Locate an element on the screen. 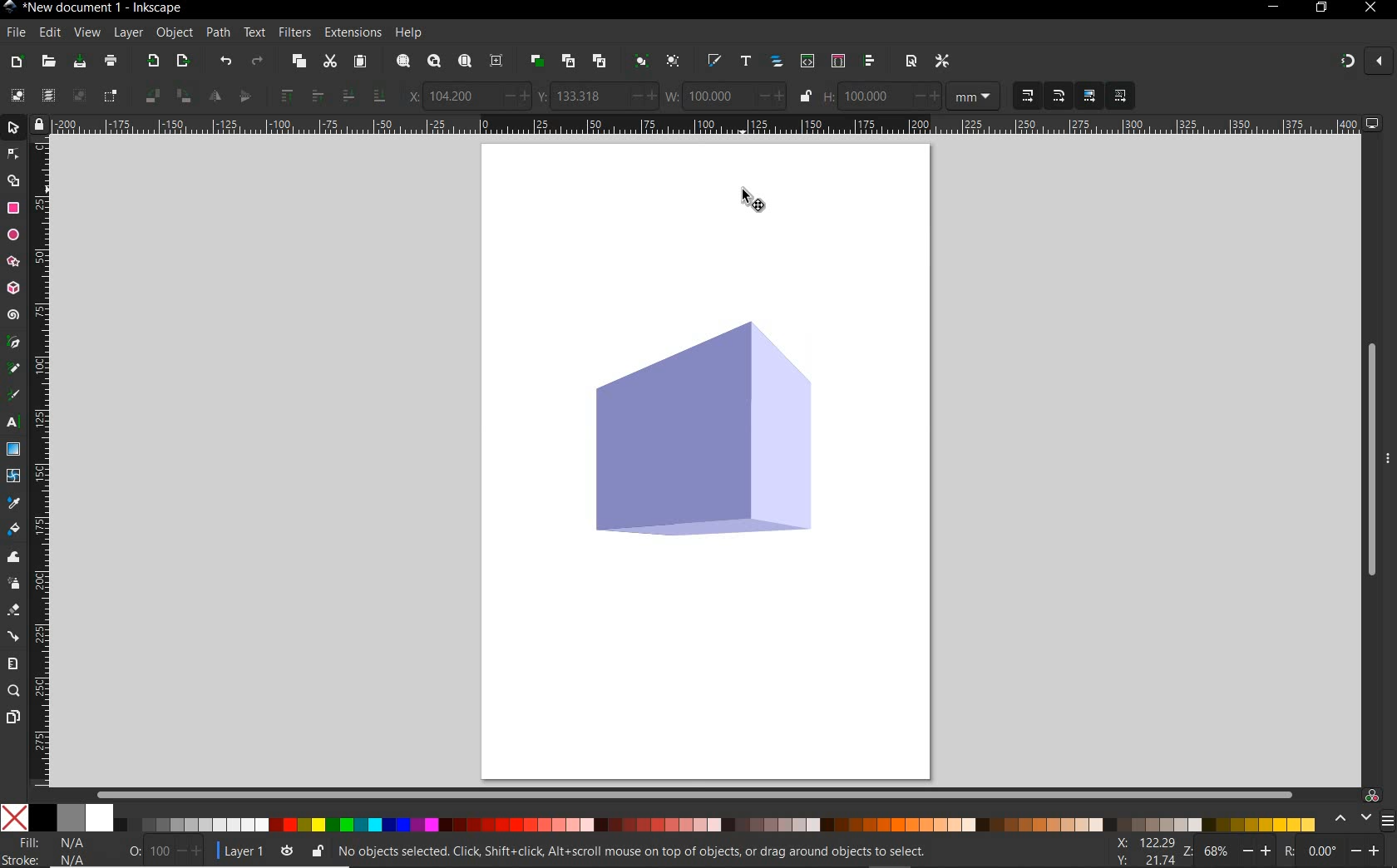 The width and height of the screenshot is (1397, 868). h is located at coordinates (828, 96).